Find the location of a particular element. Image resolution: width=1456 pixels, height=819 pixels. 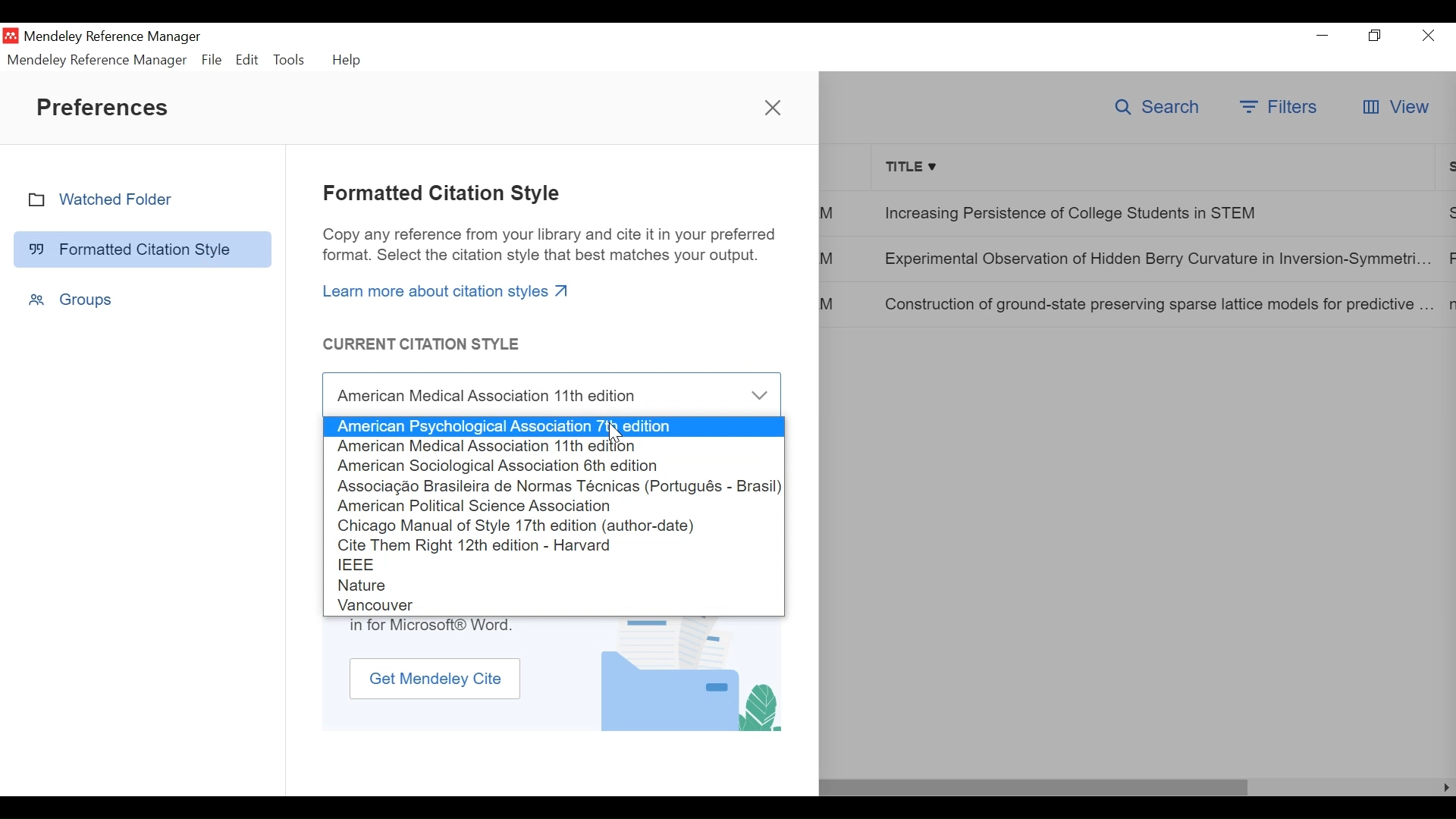

Copy any reference from your library and cite it in your preferred format. Select the citation style that best matches your output is located at coordinates (549, 246).